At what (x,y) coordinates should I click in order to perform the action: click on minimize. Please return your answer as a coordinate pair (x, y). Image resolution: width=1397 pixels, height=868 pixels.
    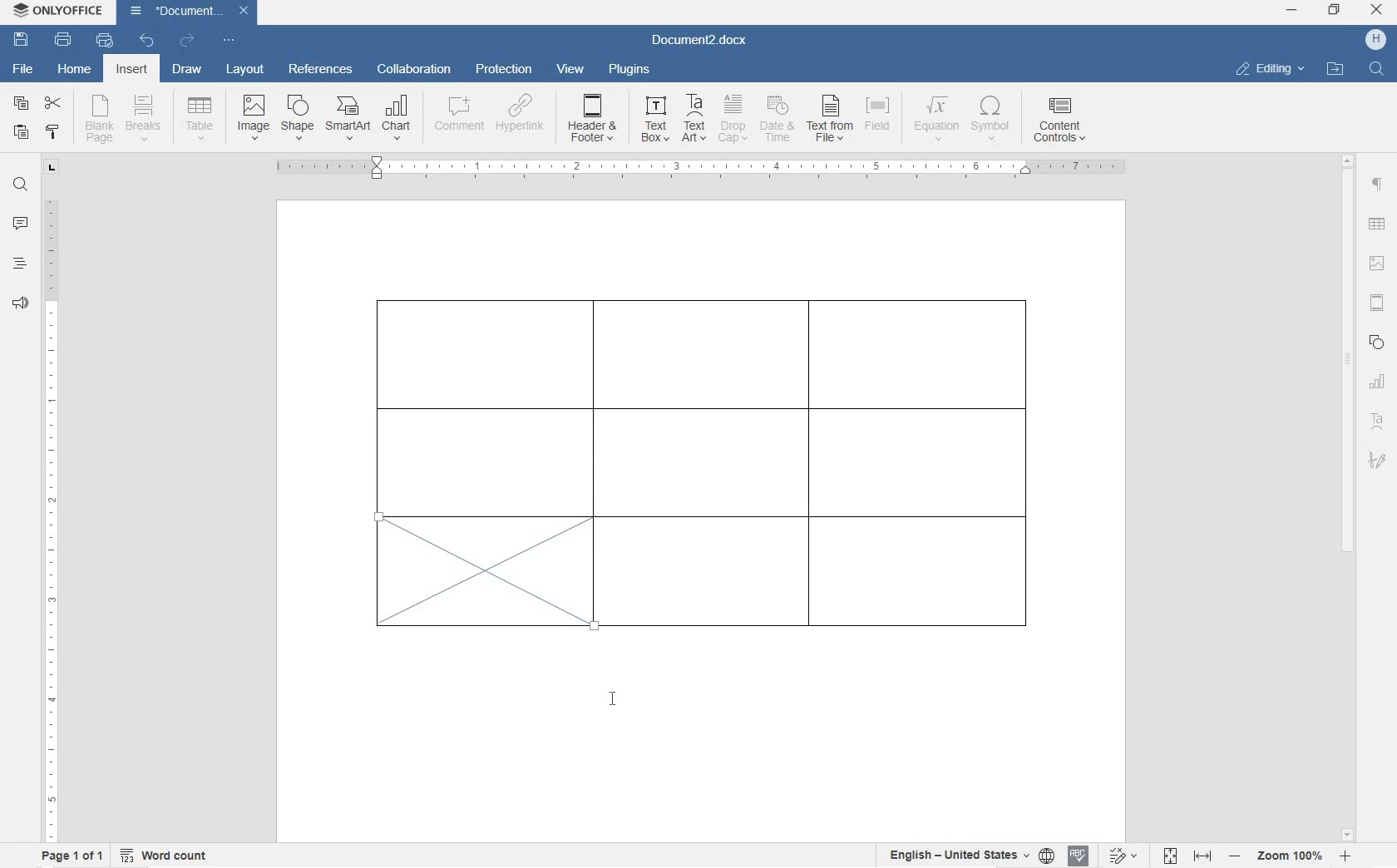
    Looking at the image, I should click on (1291, 10).